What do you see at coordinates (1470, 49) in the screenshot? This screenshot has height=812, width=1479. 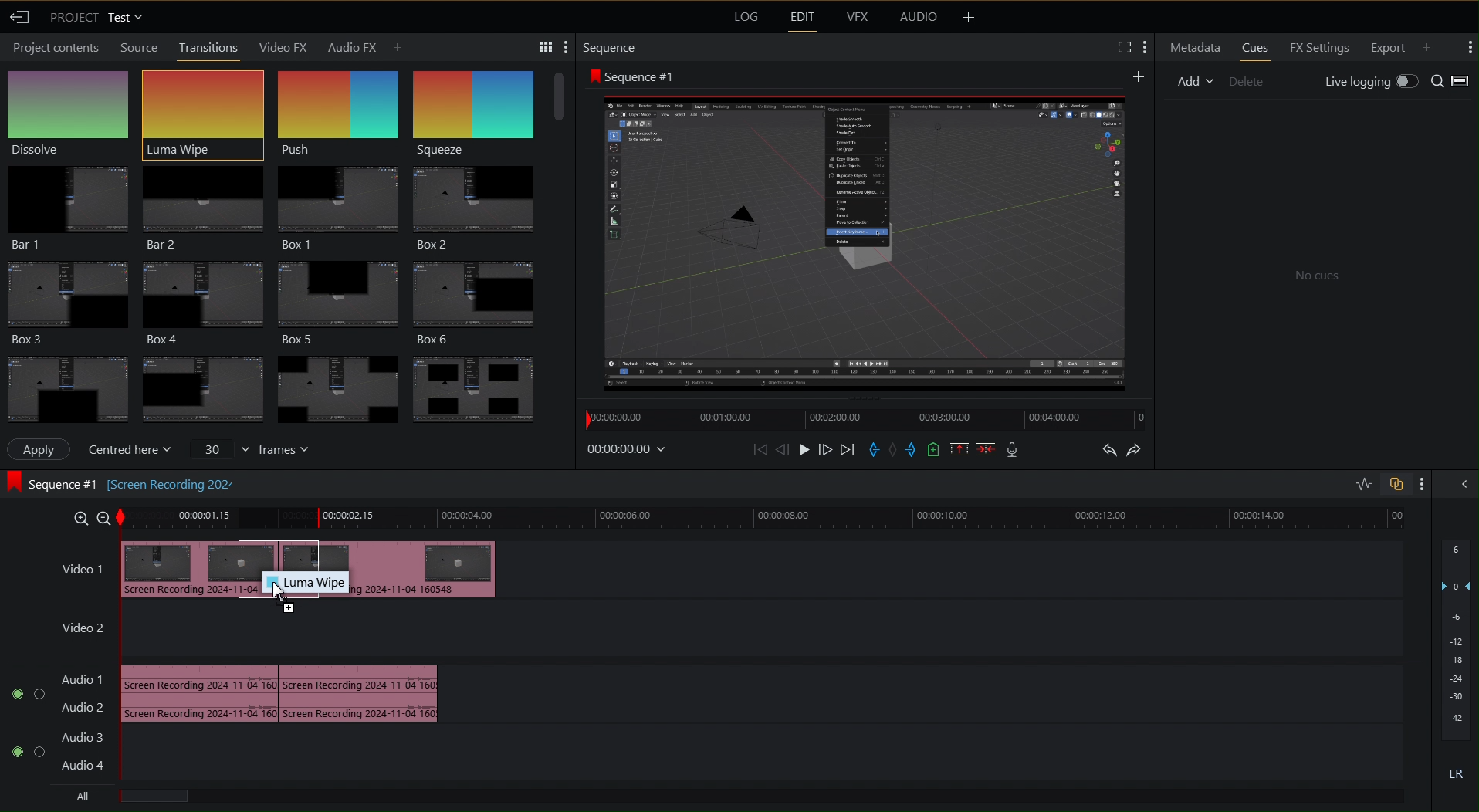 I see `More` at bounding box center [1470, 49].